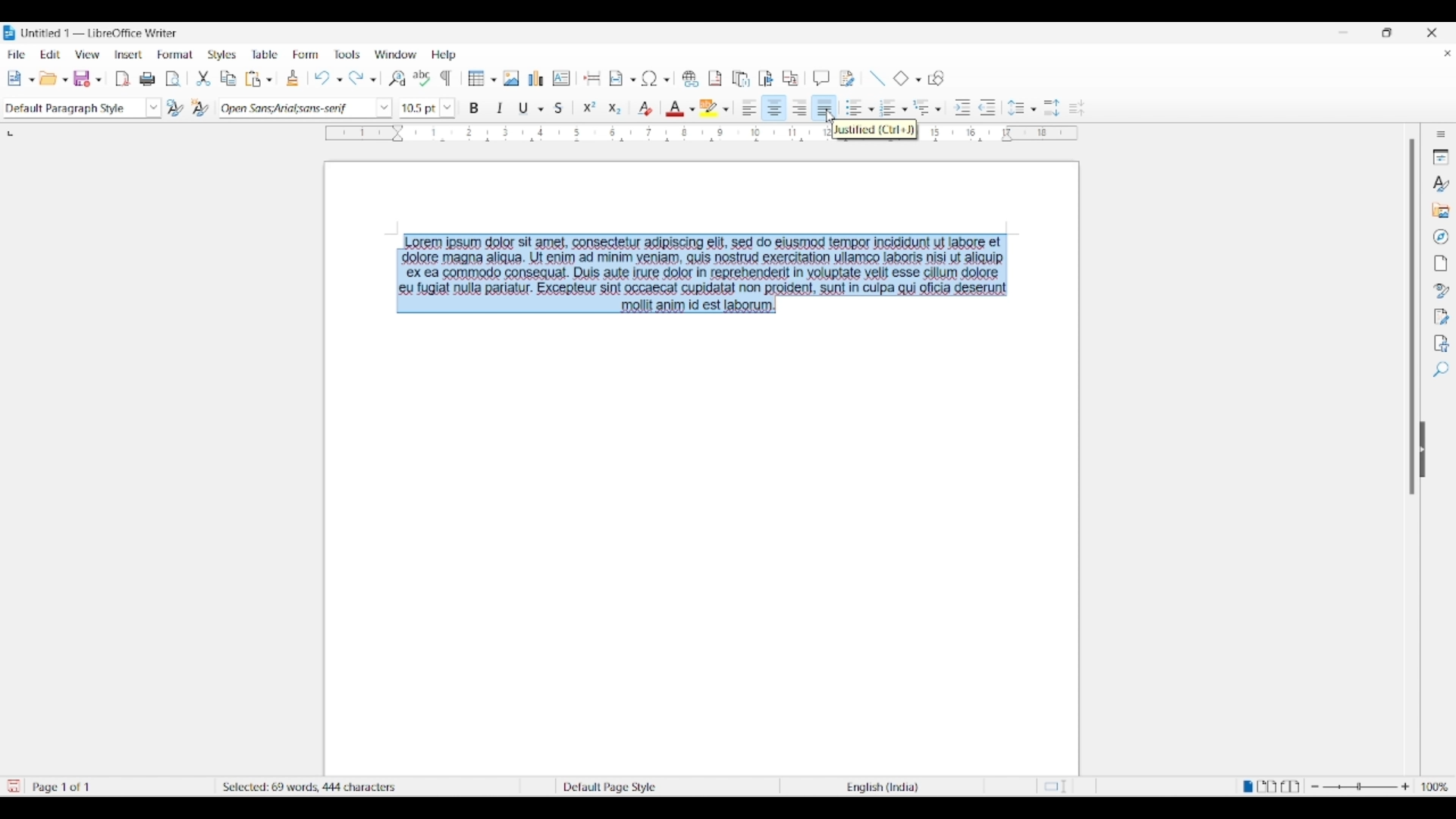 The image size is (1456, 819). I want to click on Justified (Ctrl+J), so click(877, 129).